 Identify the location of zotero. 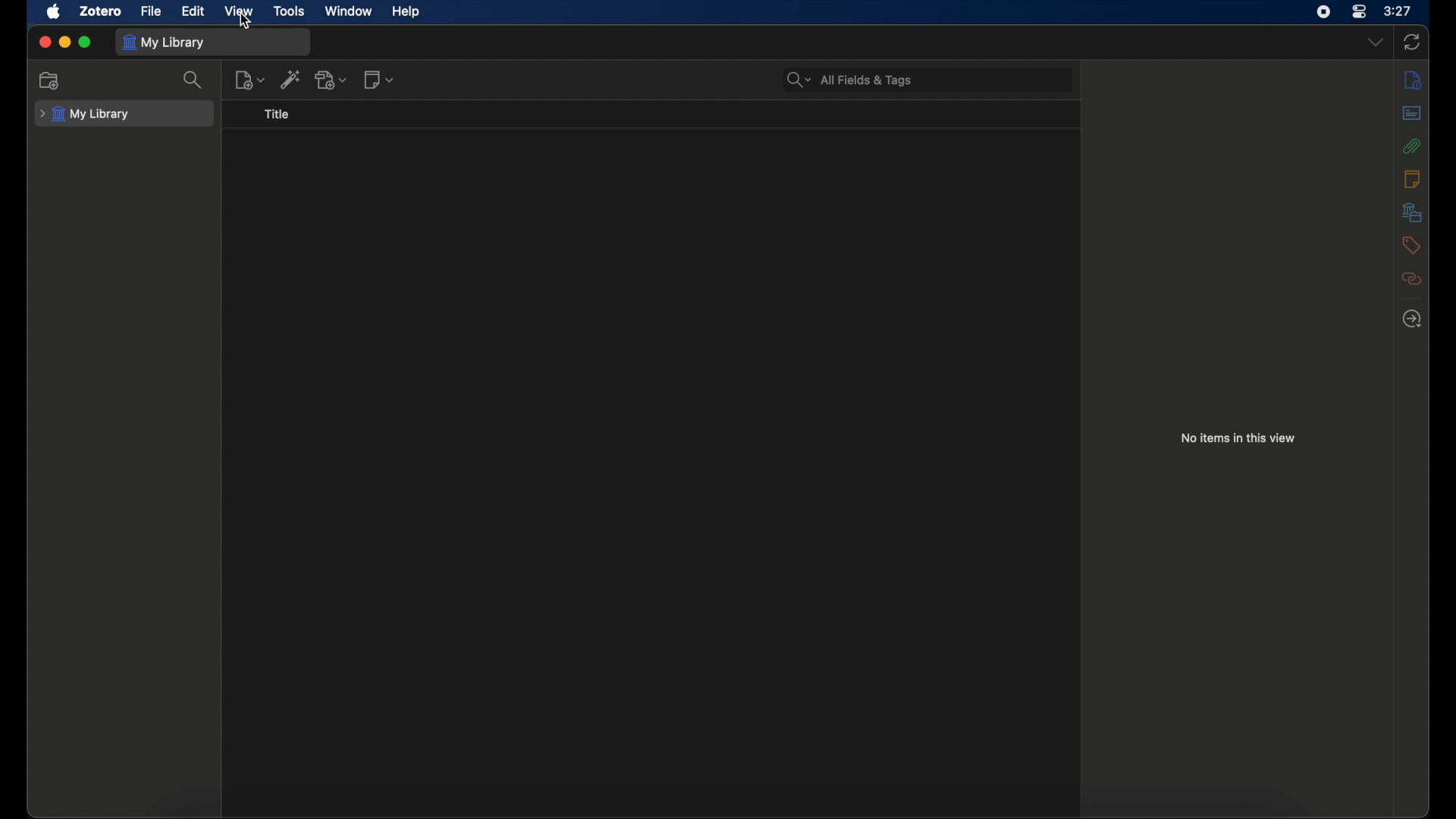
(100, 11).